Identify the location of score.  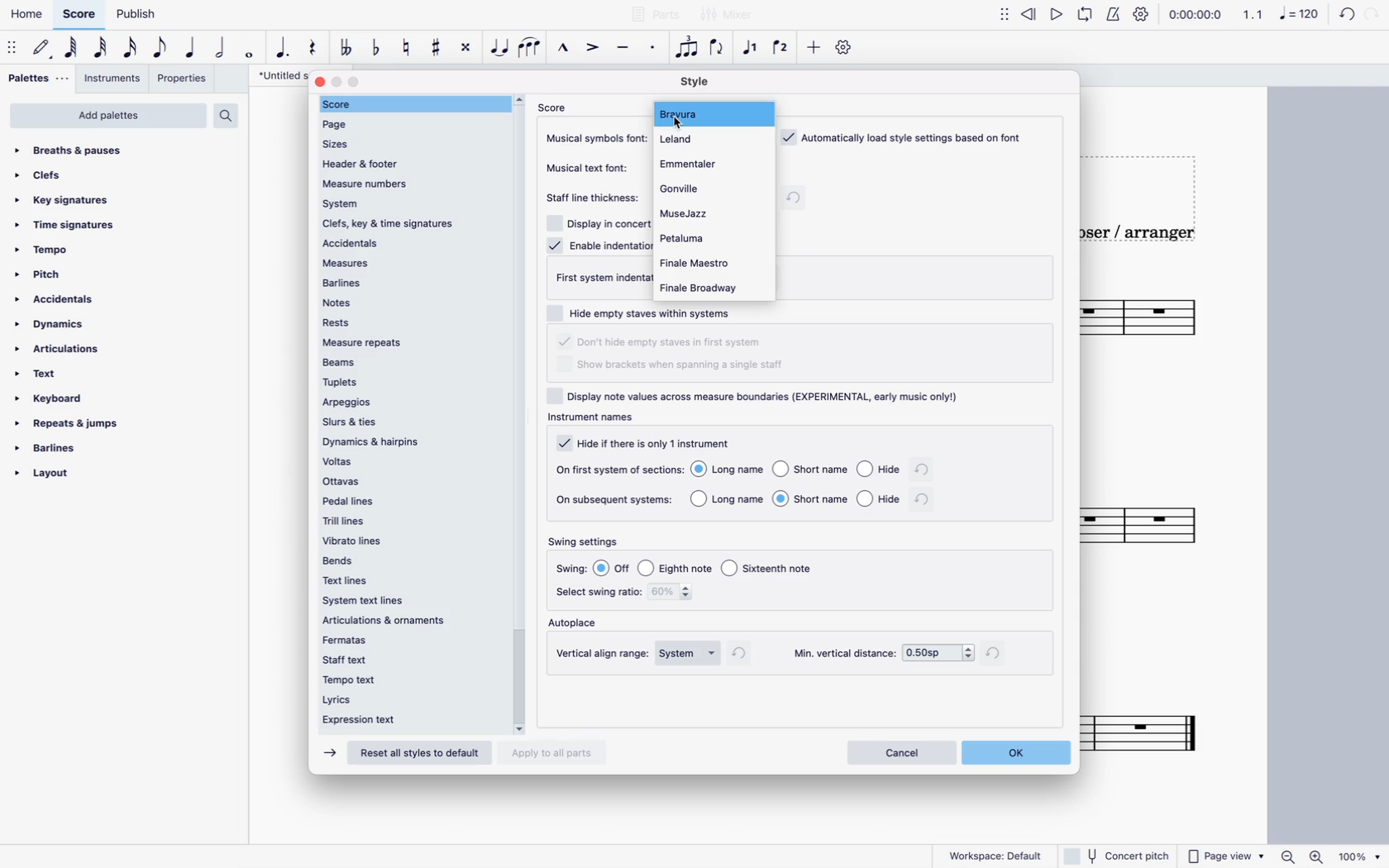
(1147, 317).